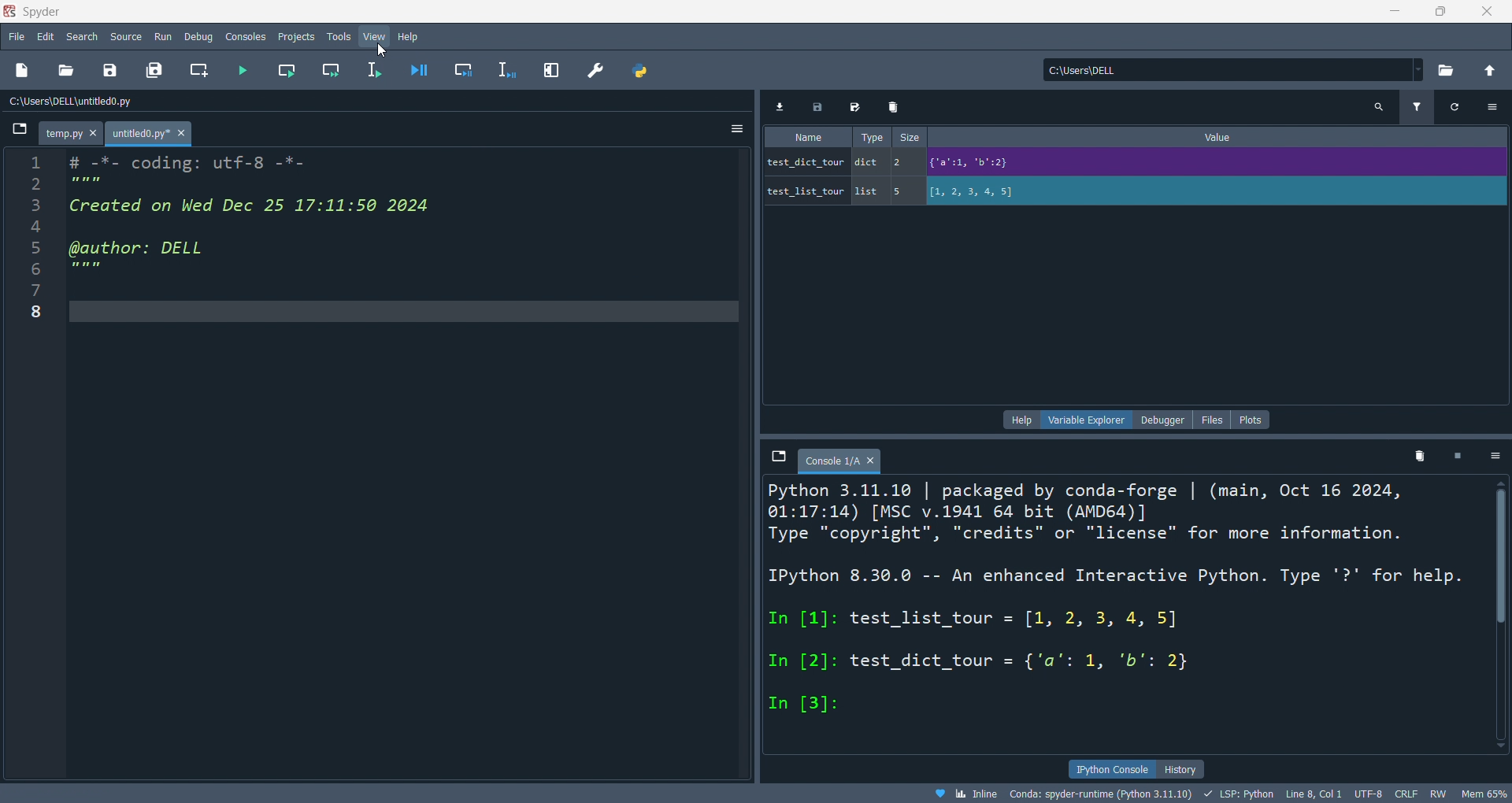 The image size is (1512, 803). What do you see at coordinates (1250, 420) in the screenshot?
I see `plots` at bounding box center [1250, 420].